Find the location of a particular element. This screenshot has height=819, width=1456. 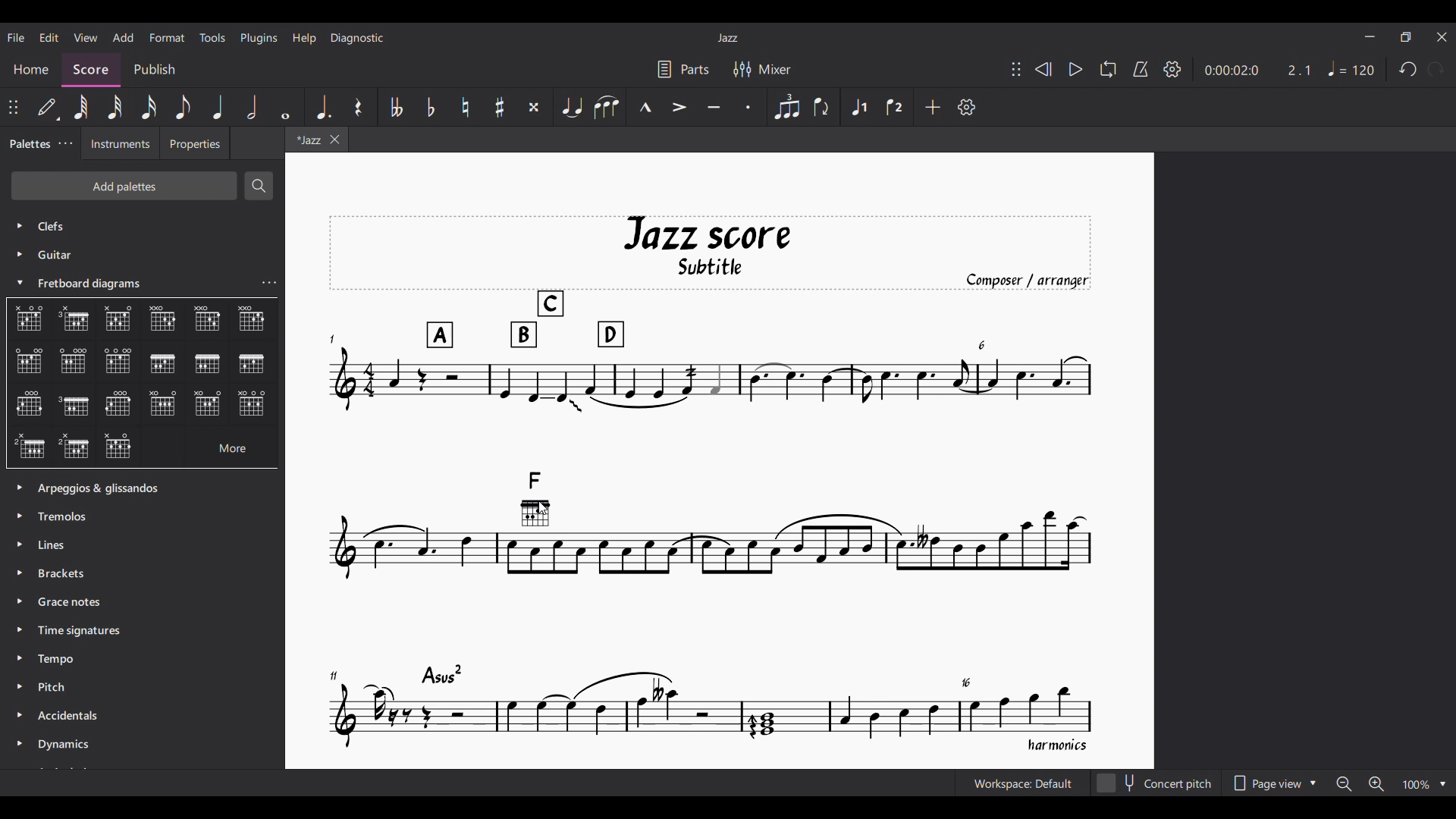

Close is located at coordinates (1443, 37).